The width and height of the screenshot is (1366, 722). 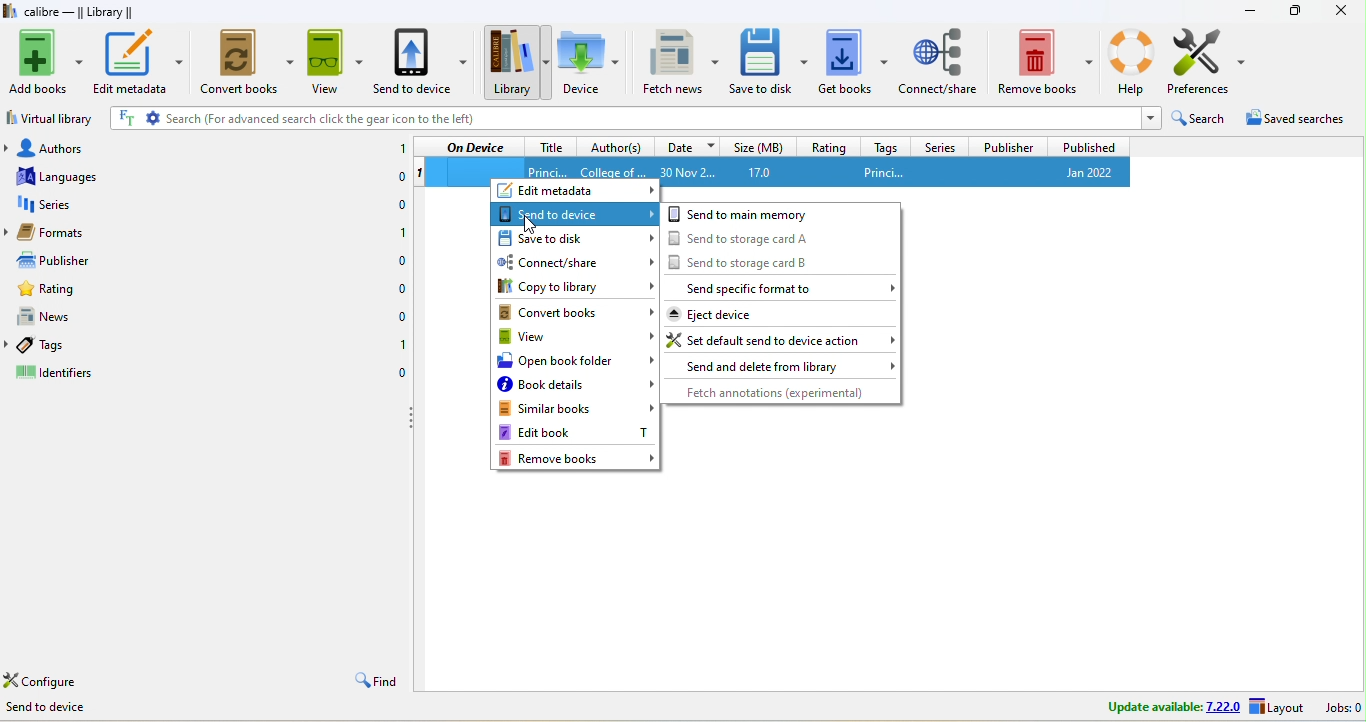 What do you see at coordinates (402, 290) in the screenshot?
I see `0` at bounding box center [402, 290].